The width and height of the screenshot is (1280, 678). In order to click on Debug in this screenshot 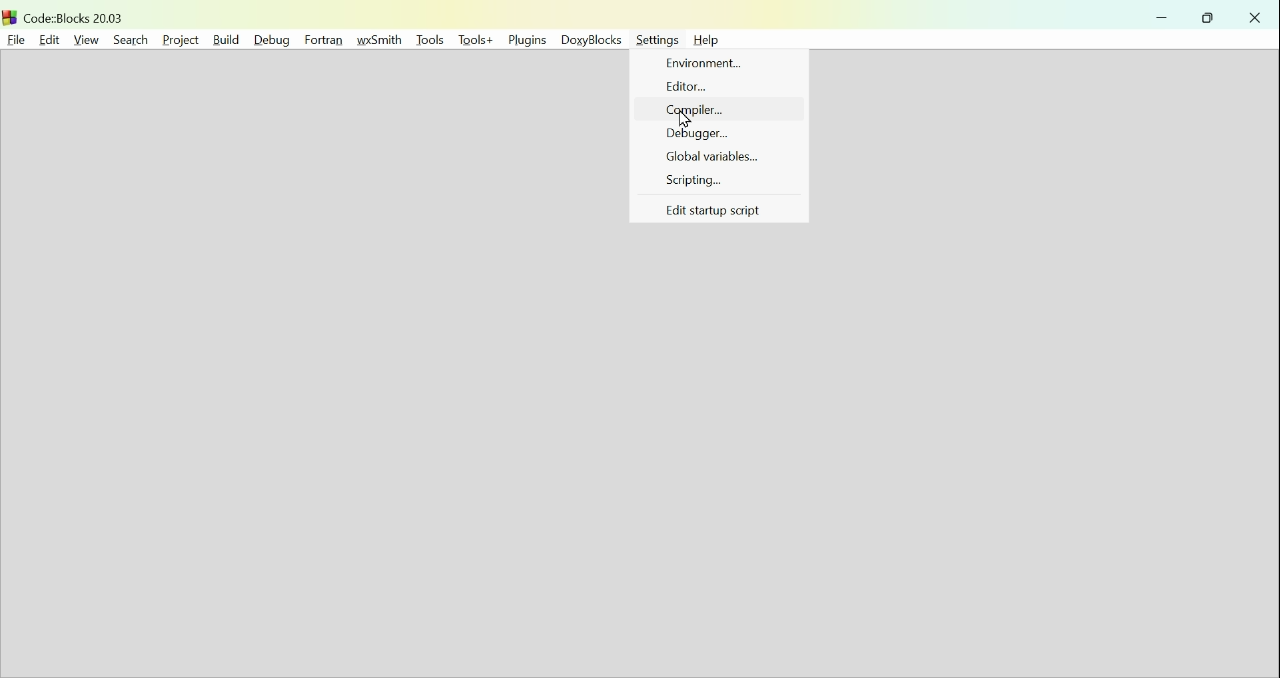, I will do `click(269, 38)`.